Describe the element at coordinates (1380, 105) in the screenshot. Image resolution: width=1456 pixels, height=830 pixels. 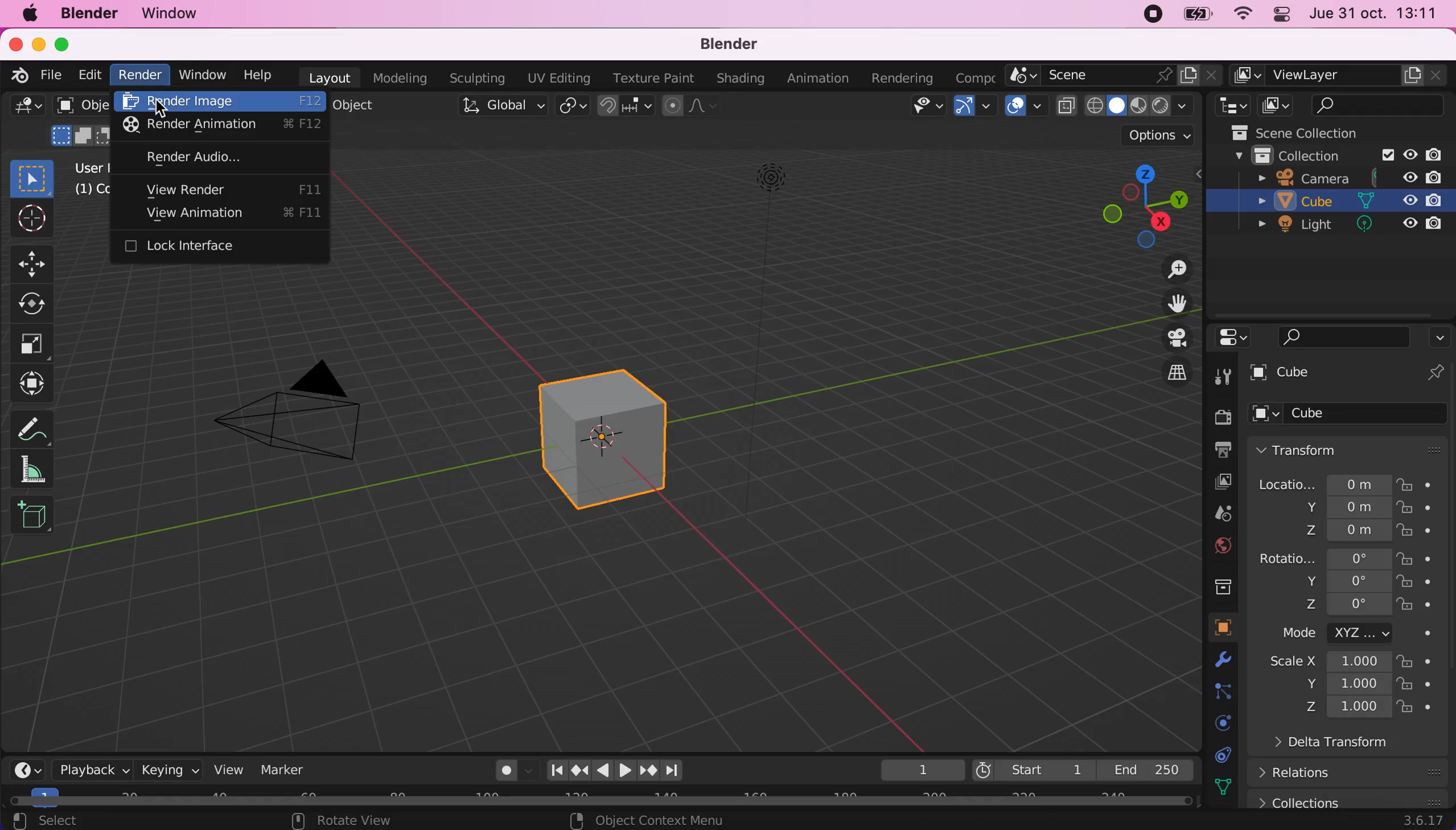
I see `search` at that location.